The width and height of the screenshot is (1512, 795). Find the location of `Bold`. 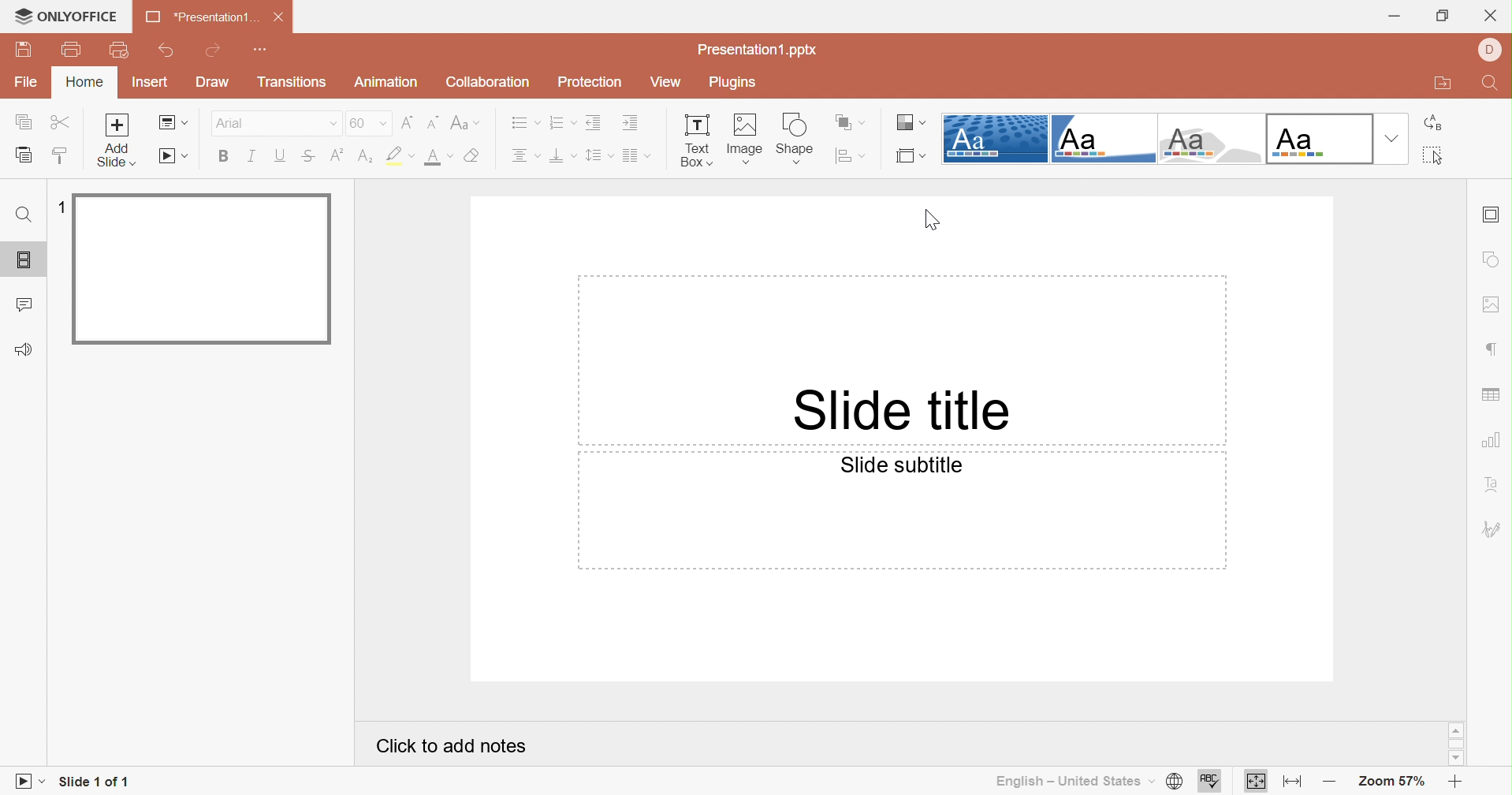

Bold is located at coordinates (224, 155).